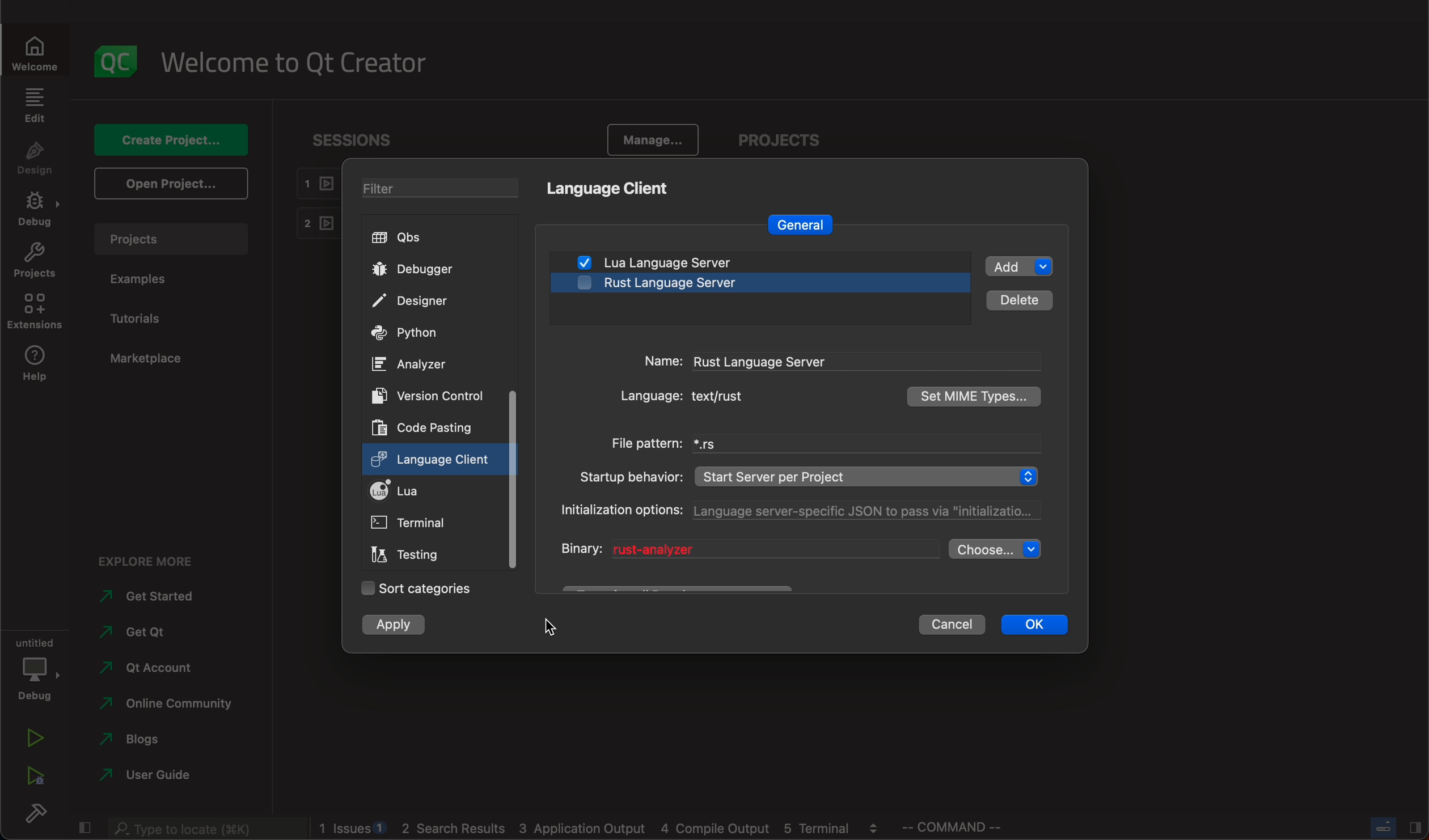 The image size is (1429, 840). I want to click on welcome, so click(293, 63).